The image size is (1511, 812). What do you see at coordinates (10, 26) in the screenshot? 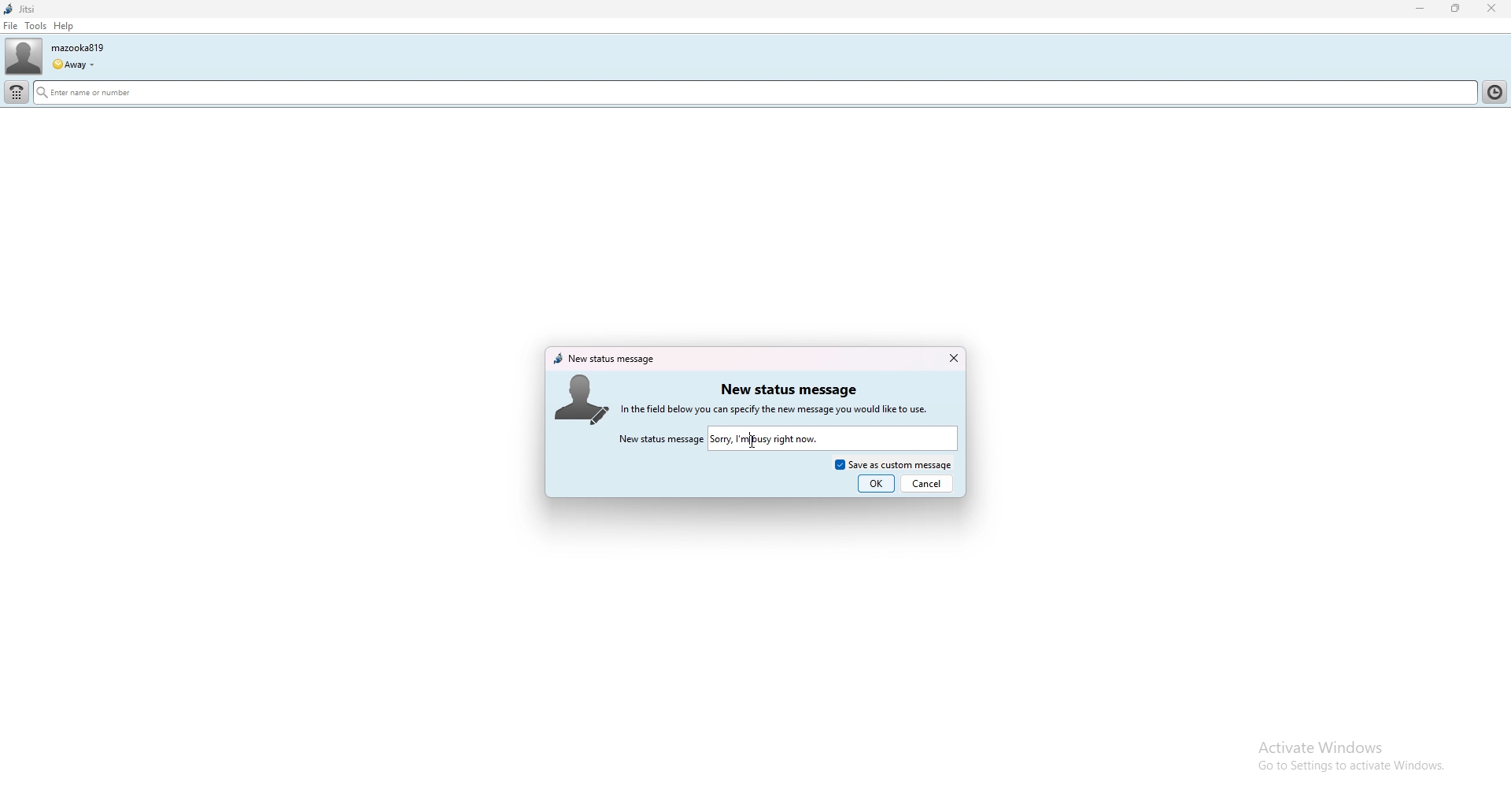
I see `file` at bounding box center [10, 26].